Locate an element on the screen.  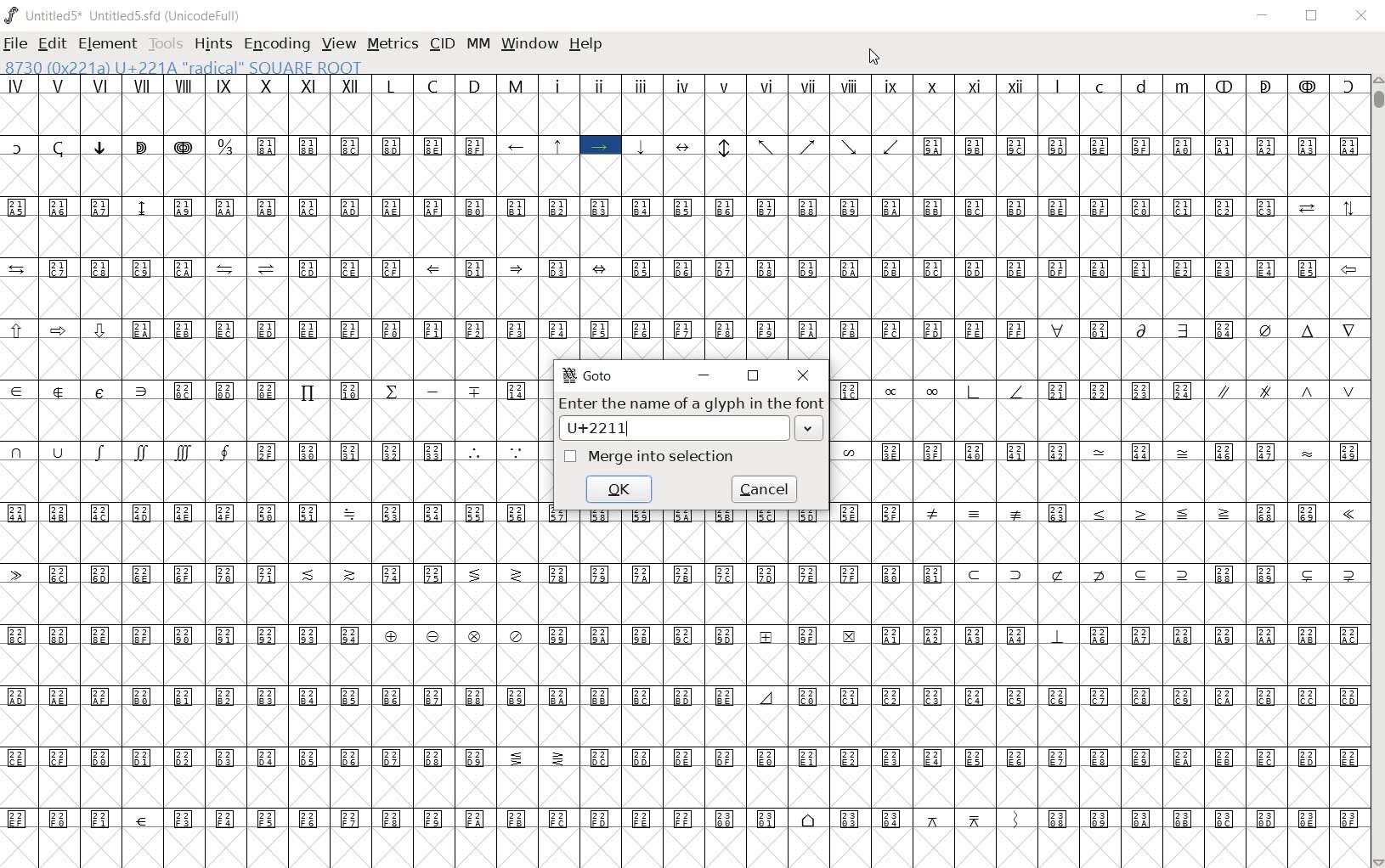
ENCODING is located at coordinates (275, 42).